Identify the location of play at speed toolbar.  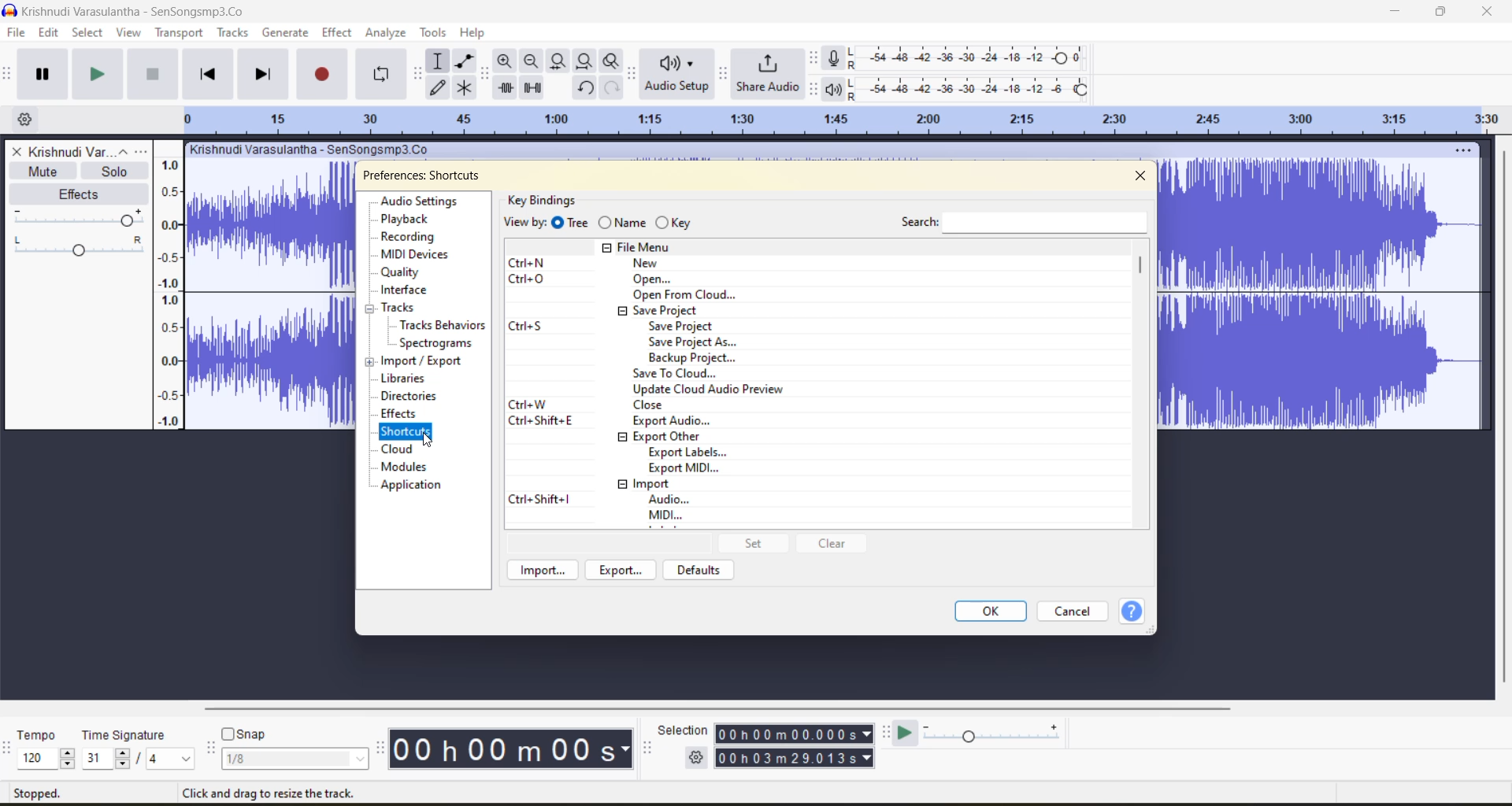
(888, 733).